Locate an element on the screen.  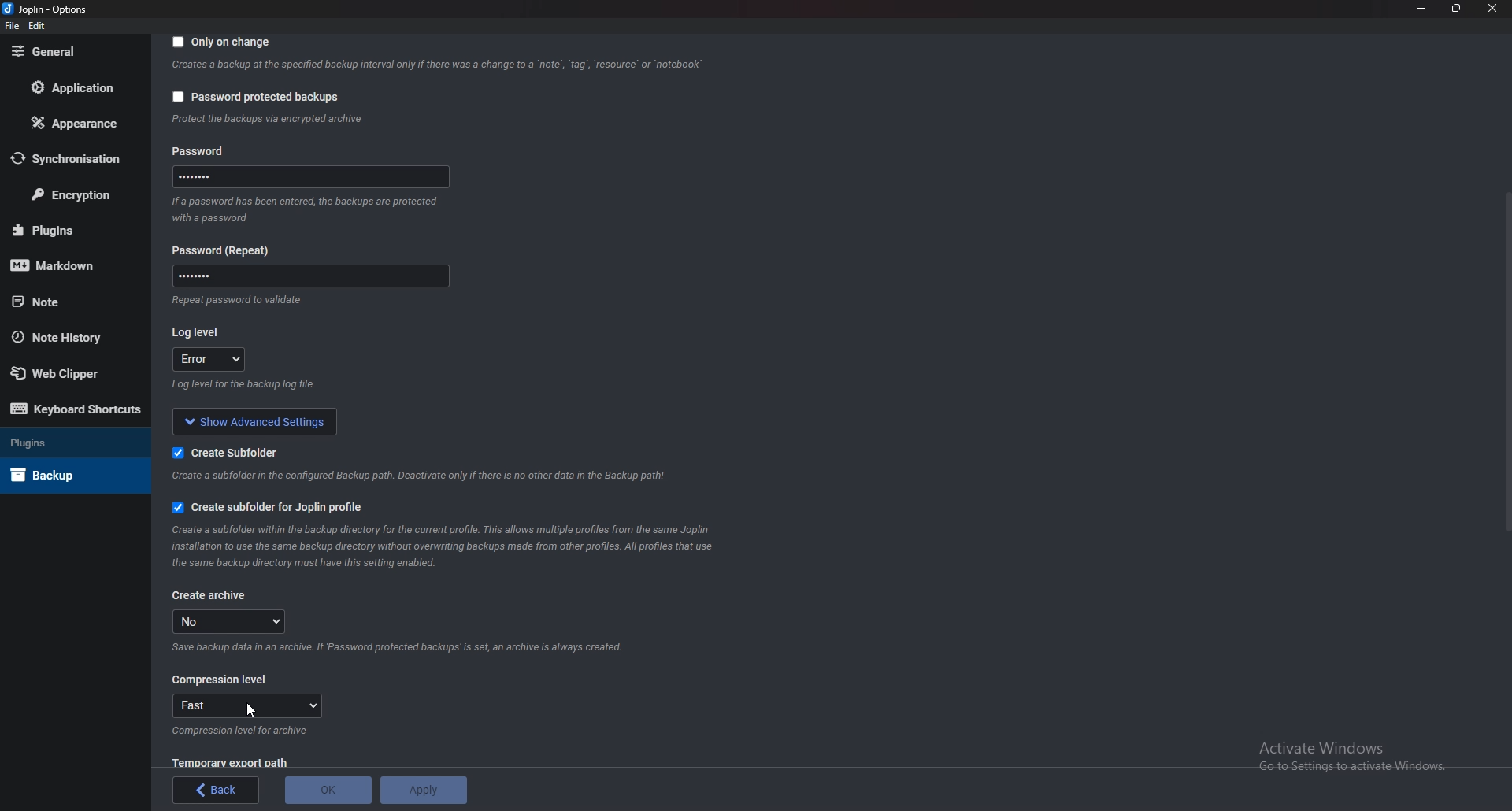
Encryption is located at coordinates (73, 194).